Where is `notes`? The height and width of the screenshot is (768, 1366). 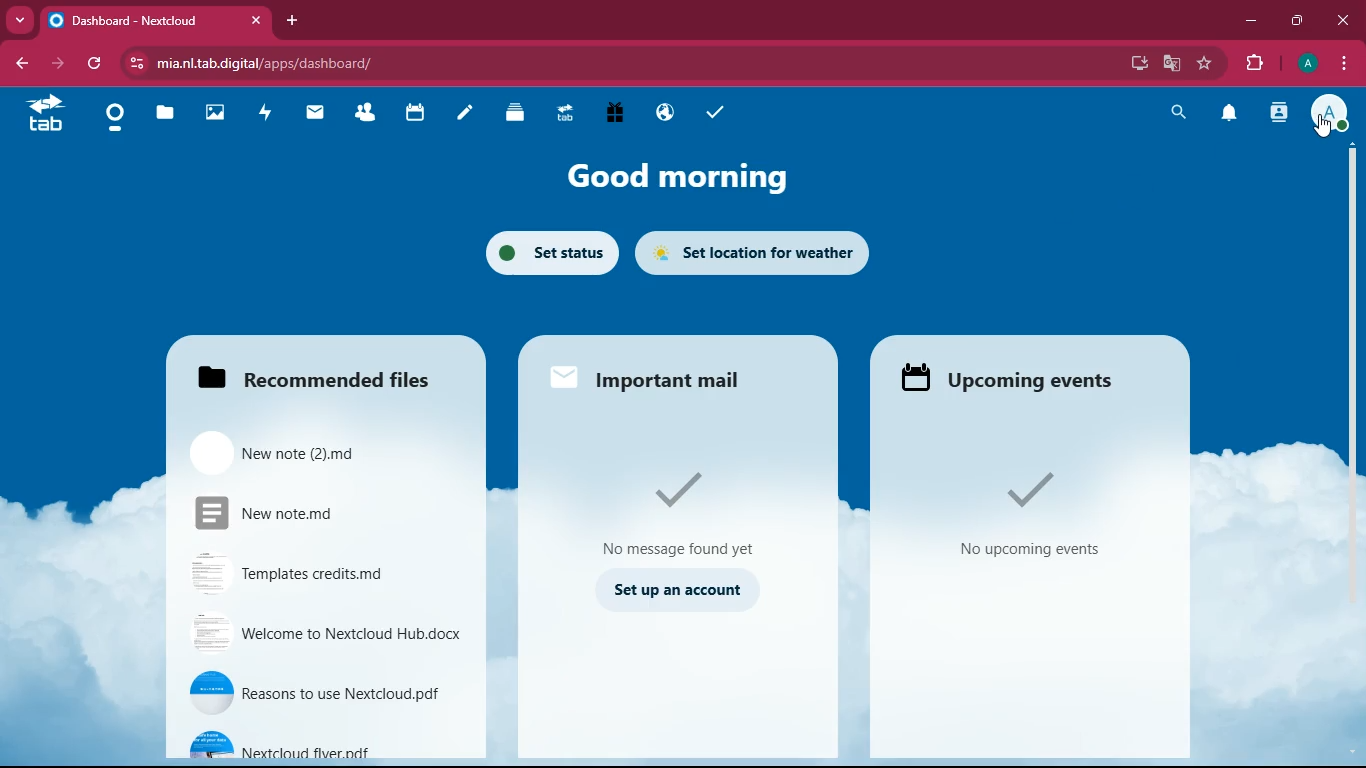 notes is located at coordinates (467, 115).